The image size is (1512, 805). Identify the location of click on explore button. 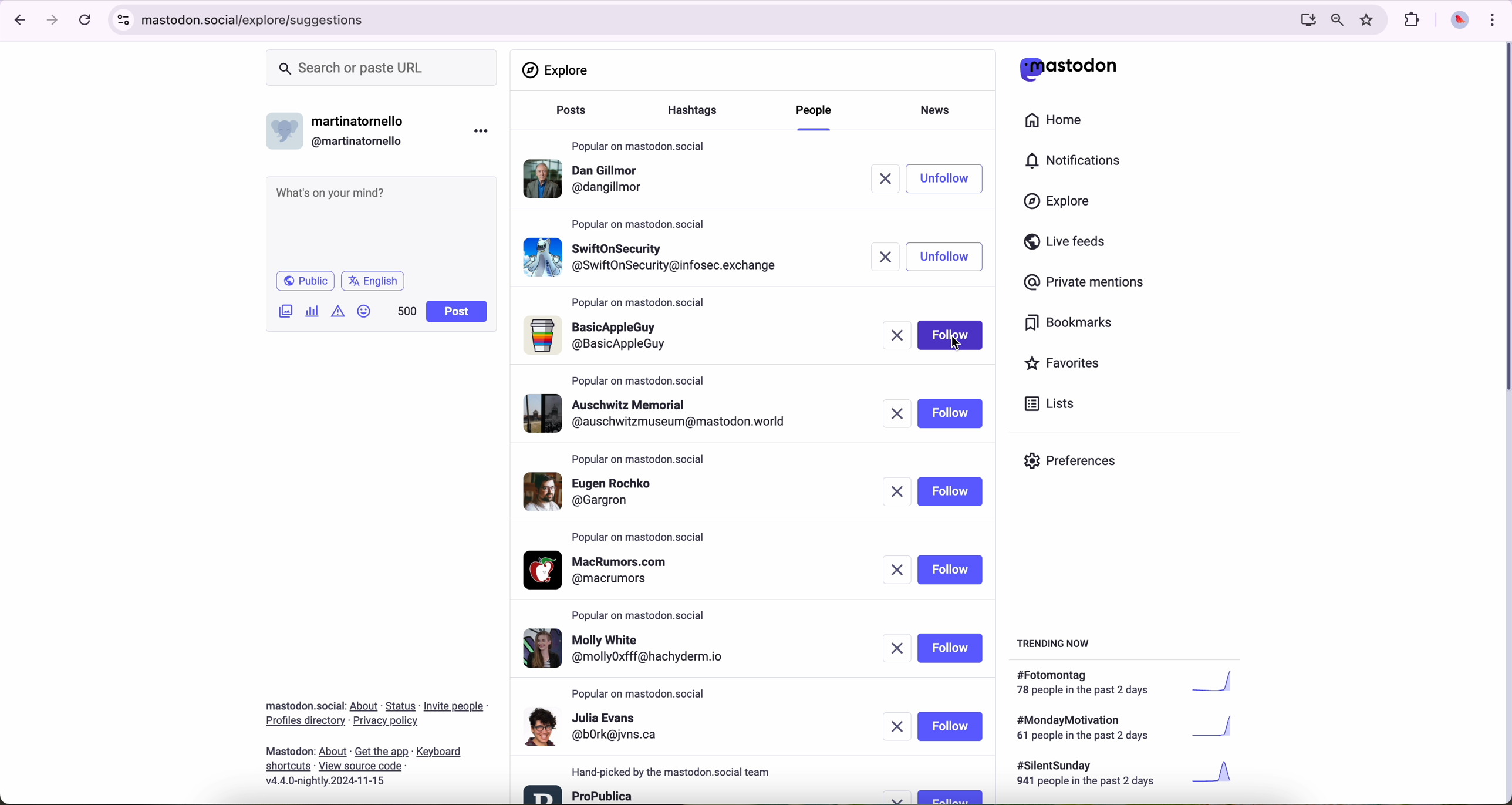
(1060, 207).